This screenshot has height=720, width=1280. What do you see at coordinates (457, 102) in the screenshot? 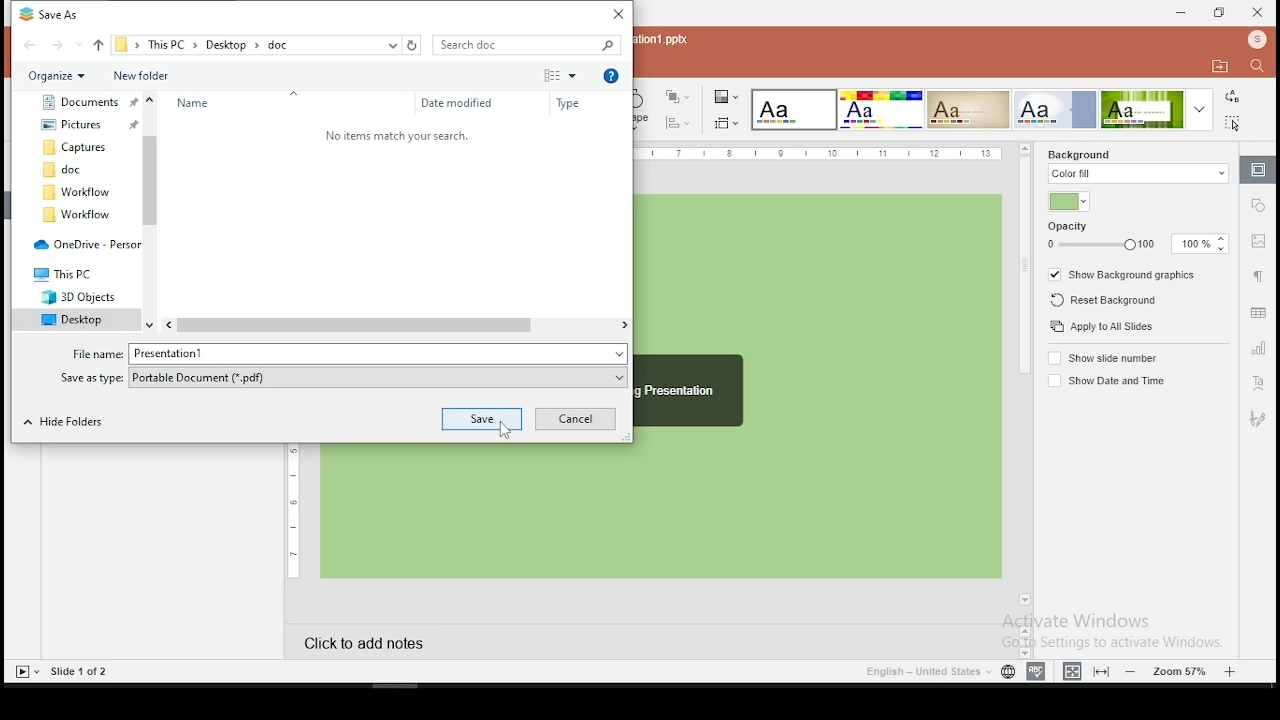
I see `Date Modified` at bounding box center [457, 102].